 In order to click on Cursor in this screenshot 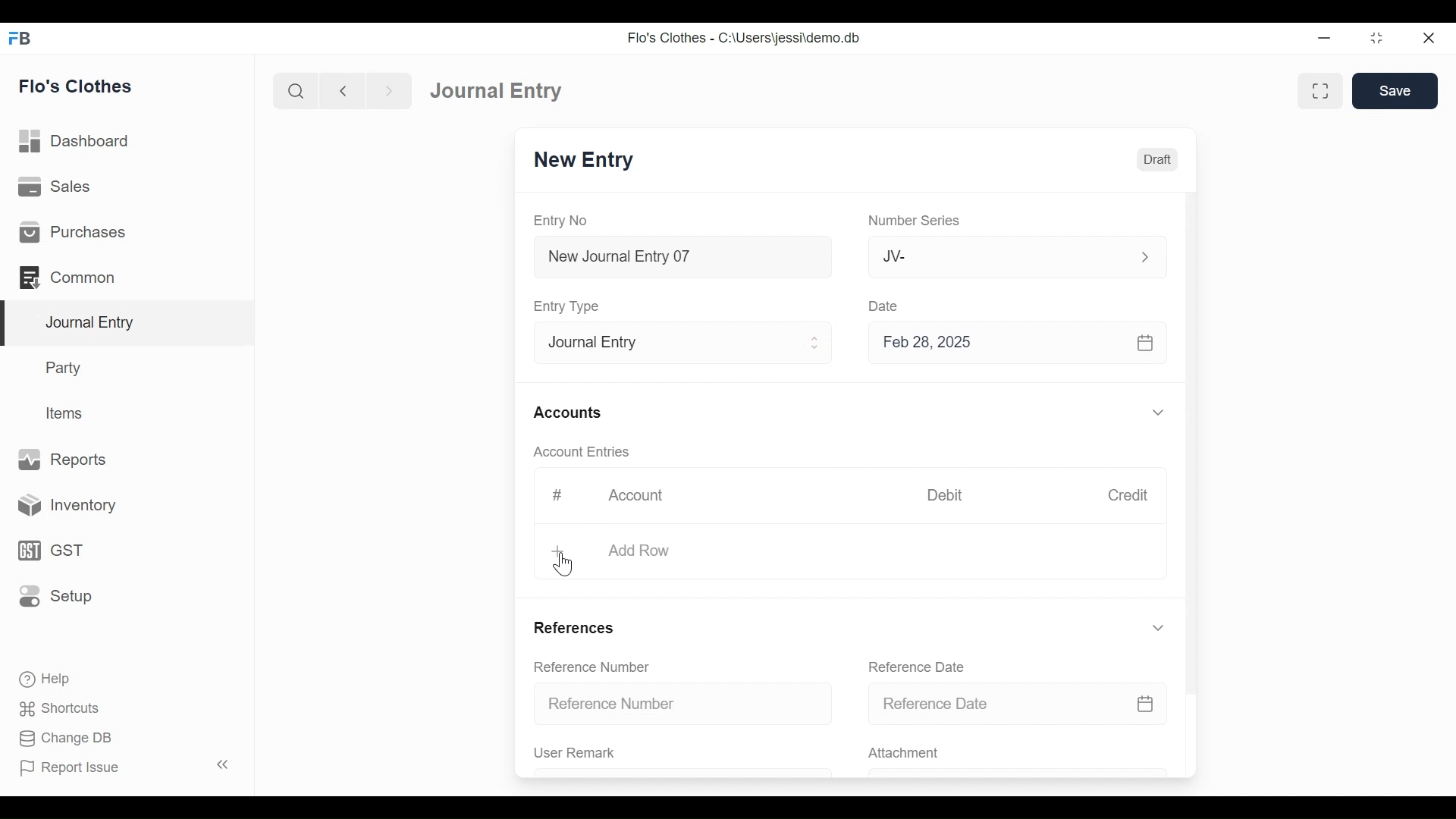, I will do `click(565, 563)`.